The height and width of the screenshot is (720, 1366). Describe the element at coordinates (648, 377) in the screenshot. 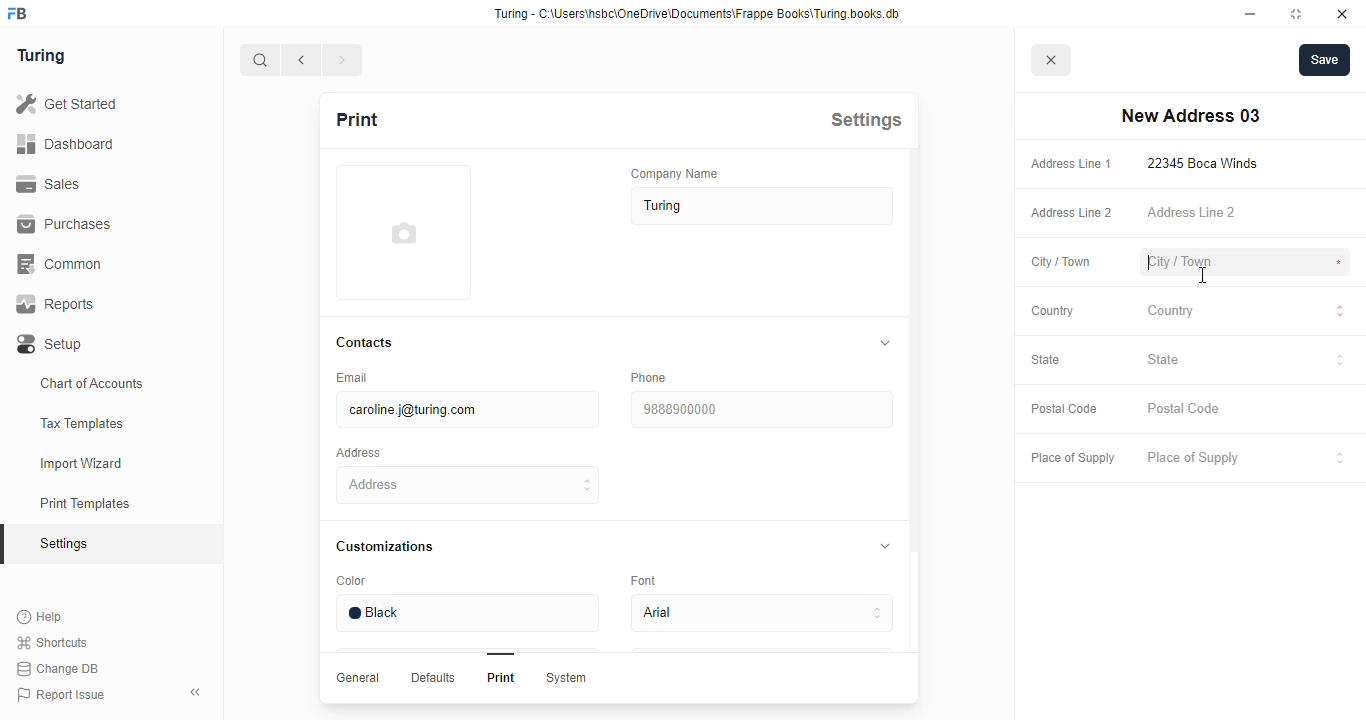

I see `phone` at that location.